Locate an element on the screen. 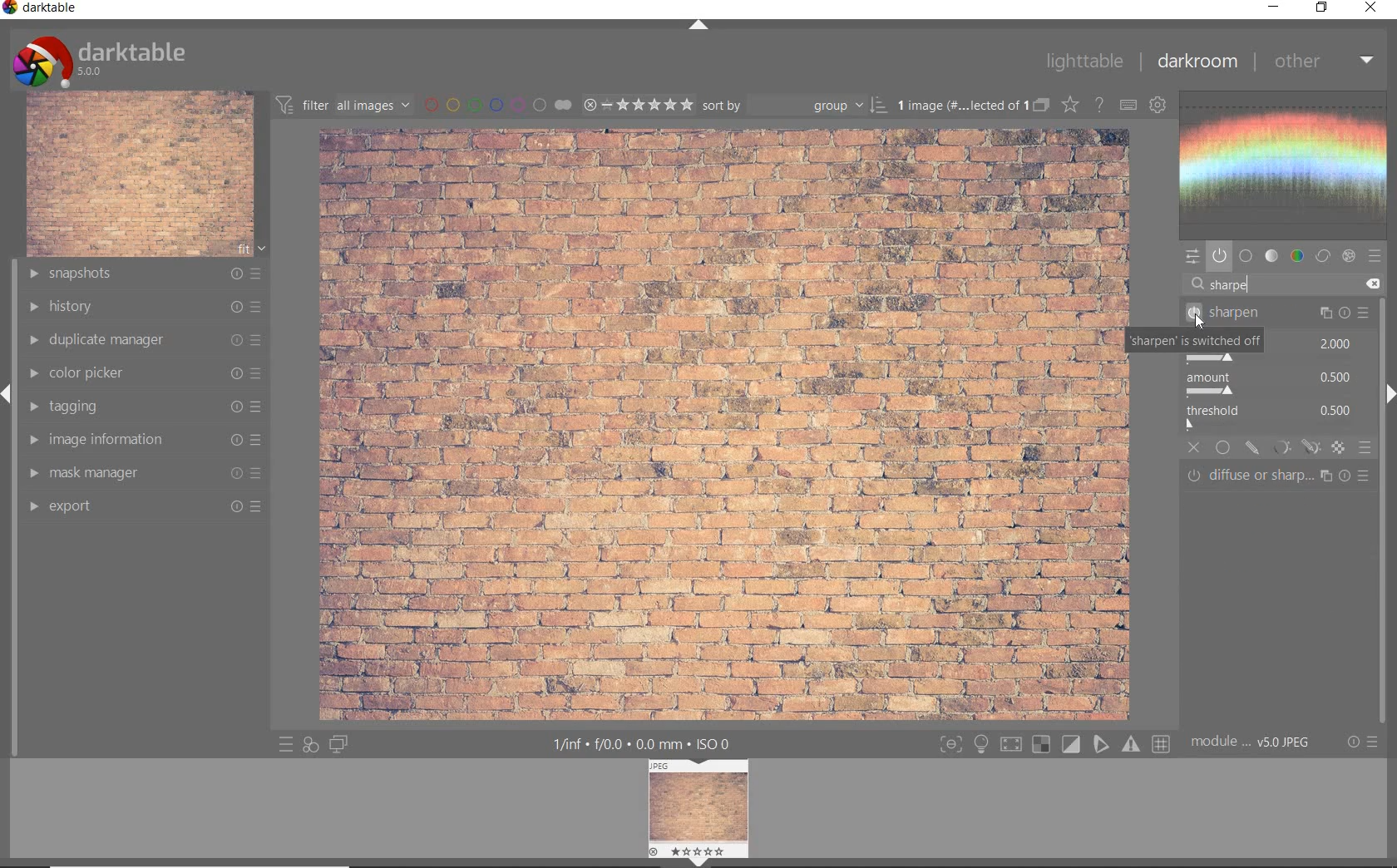 The image size is (1397, 868). color picker is located at coordinates (146, 374).